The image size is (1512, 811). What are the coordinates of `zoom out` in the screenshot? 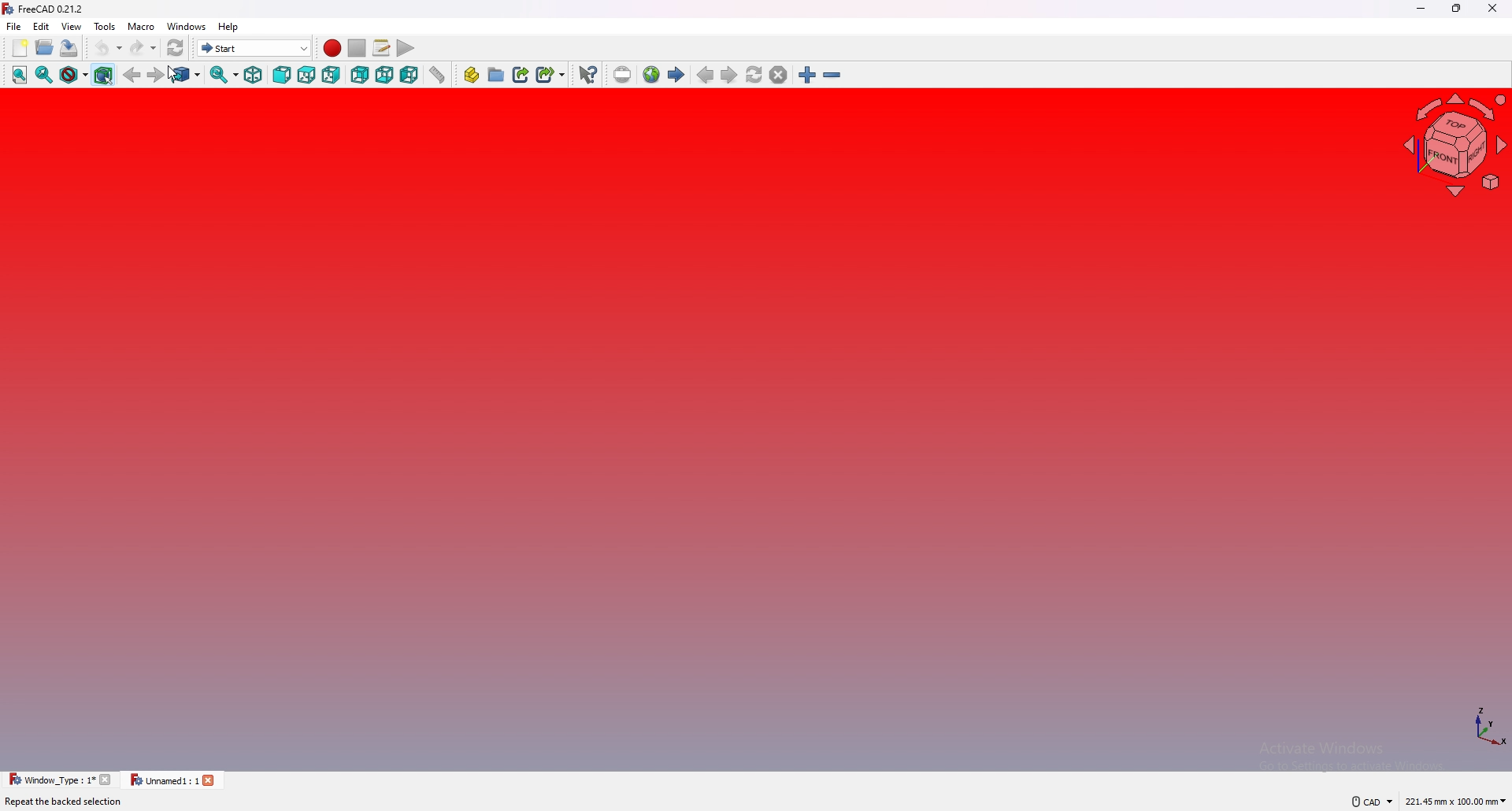 It's located at (832, 74).